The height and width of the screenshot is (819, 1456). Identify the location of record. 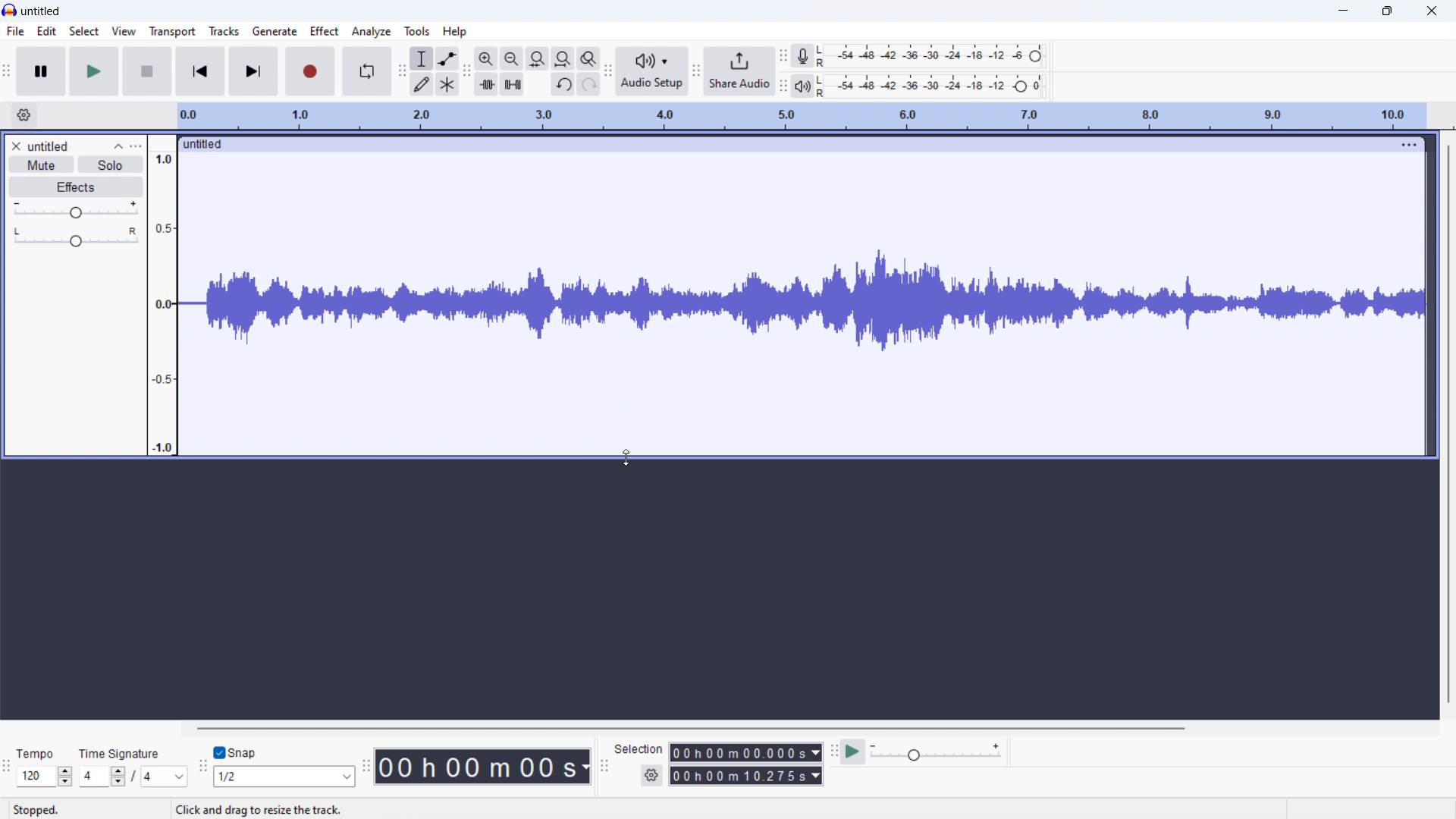
(309, 71).